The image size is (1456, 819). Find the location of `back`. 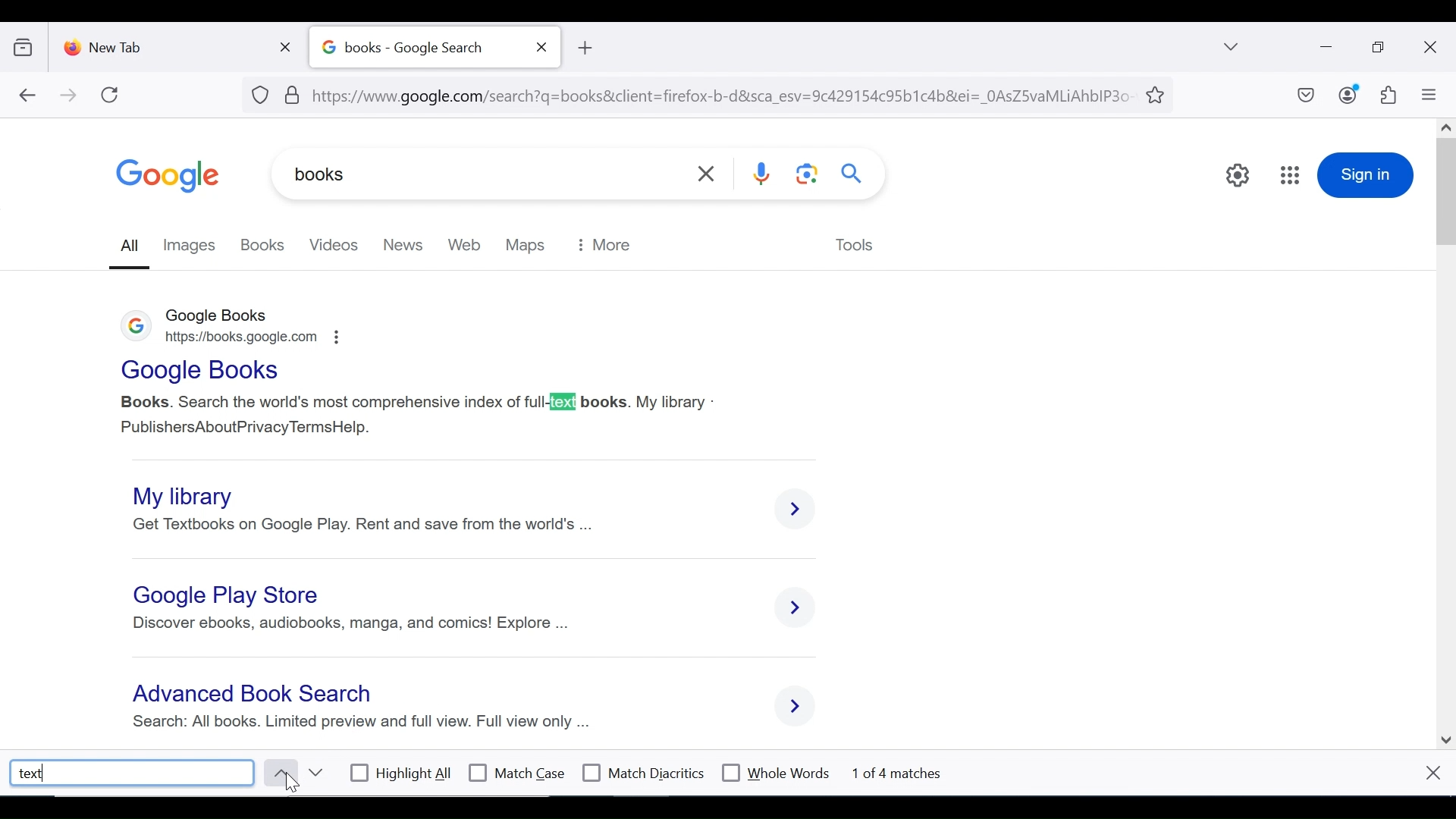

back is located at coordinates (27, 96).